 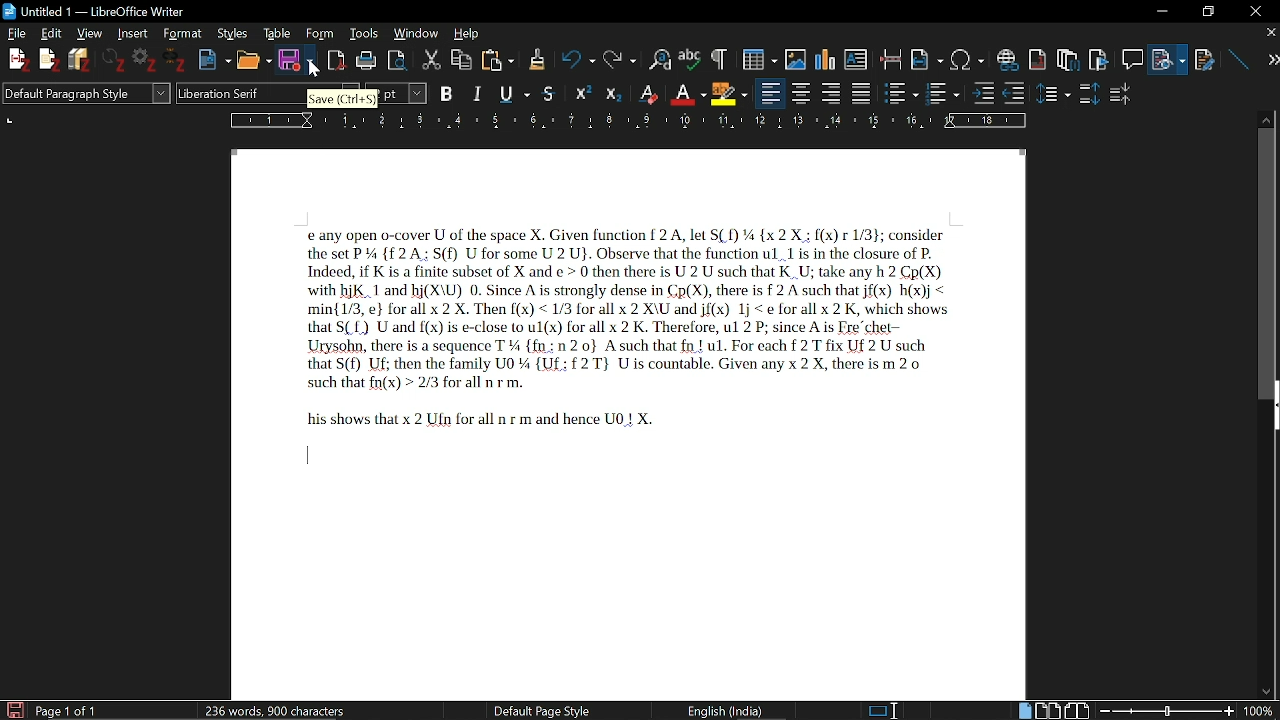 I want to click on Default Page Style, so click(x=541, y=710).